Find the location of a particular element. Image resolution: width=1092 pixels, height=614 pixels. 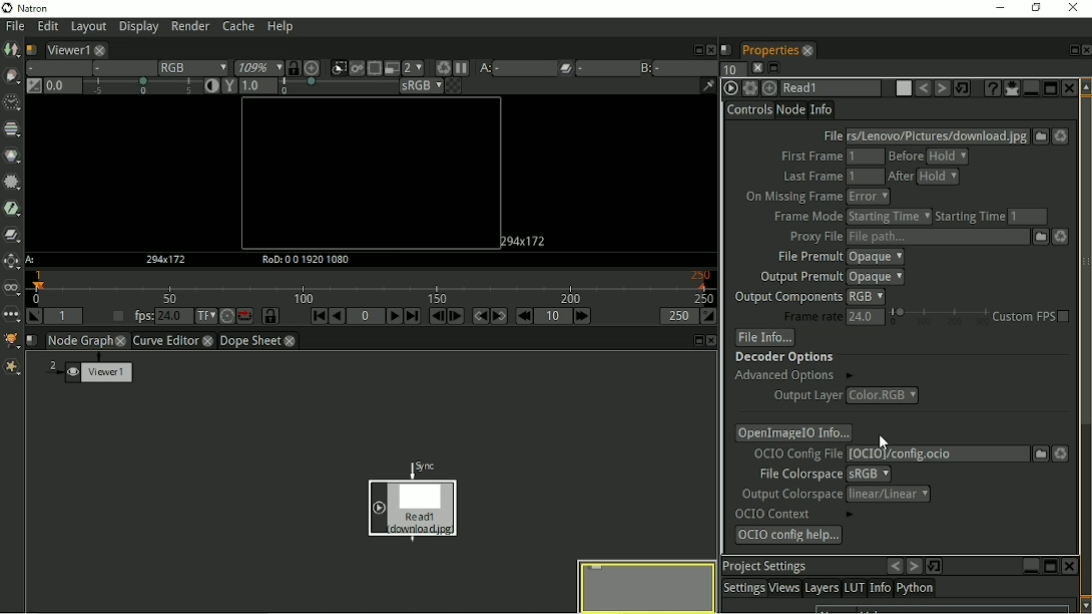

Zoom is located at coordinates (255, 68).